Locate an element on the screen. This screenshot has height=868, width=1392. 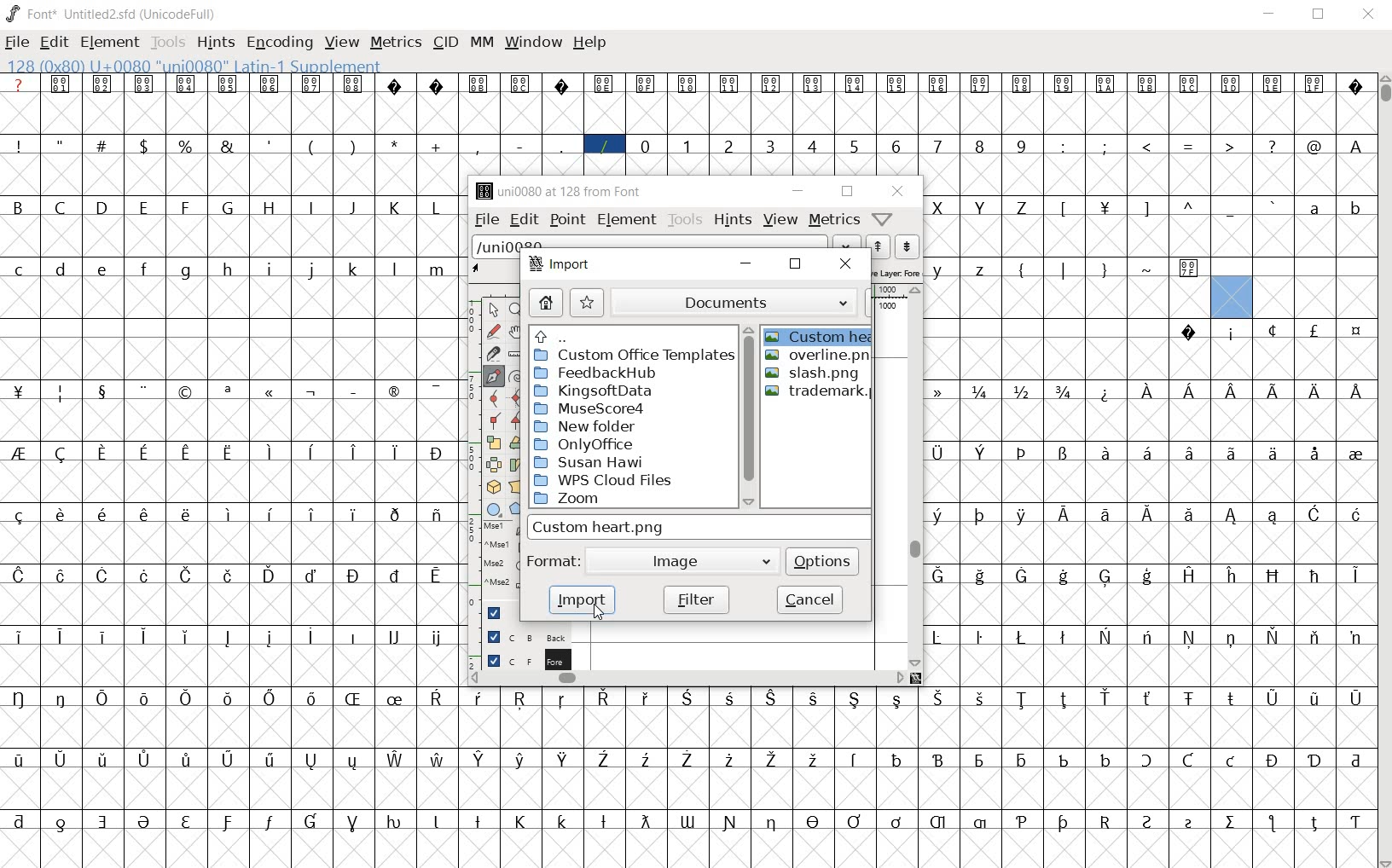
documents is located at coordinates (742, 301).